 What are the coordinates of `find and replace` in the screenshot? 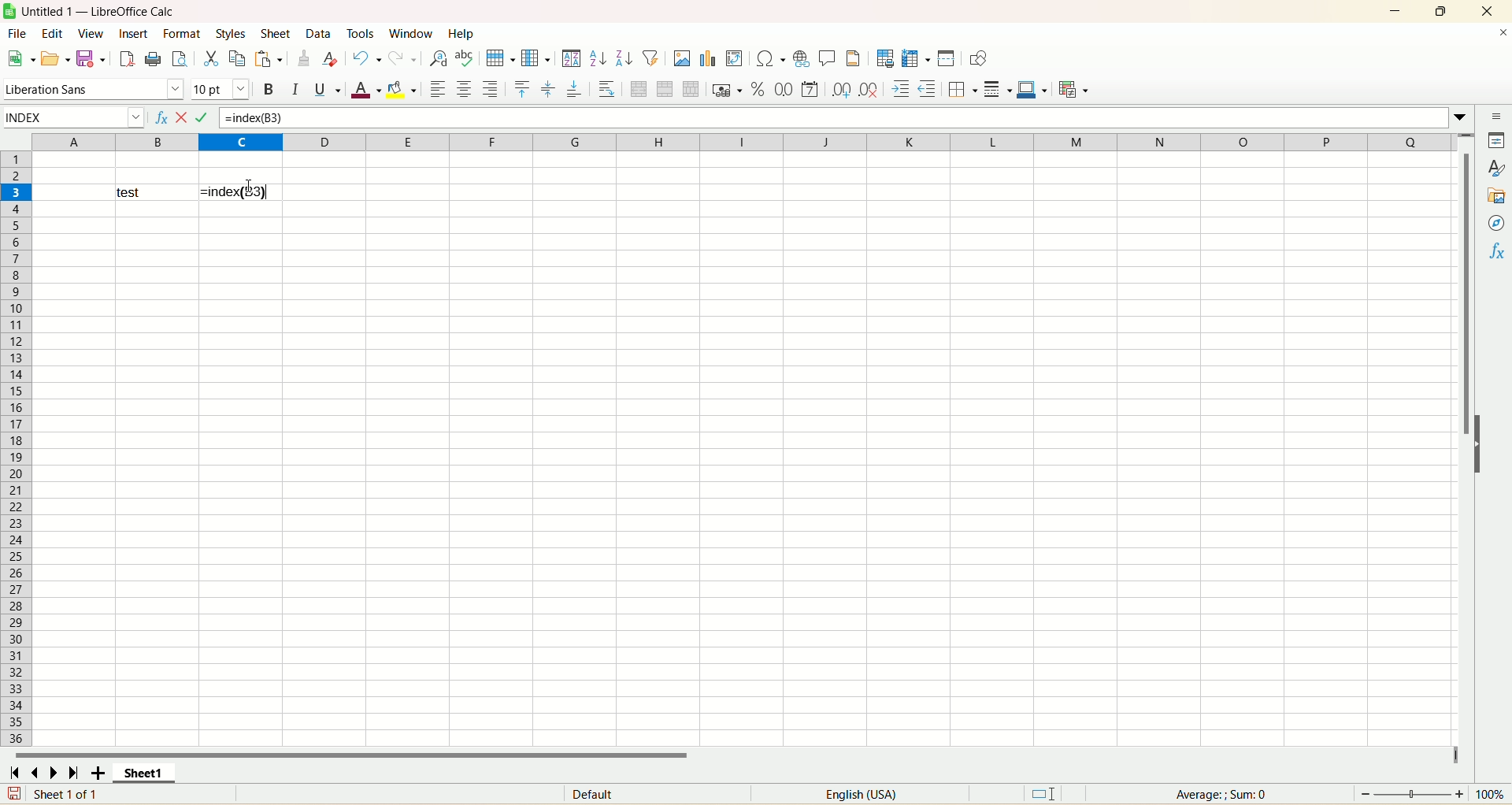 It's located at (439, 58).